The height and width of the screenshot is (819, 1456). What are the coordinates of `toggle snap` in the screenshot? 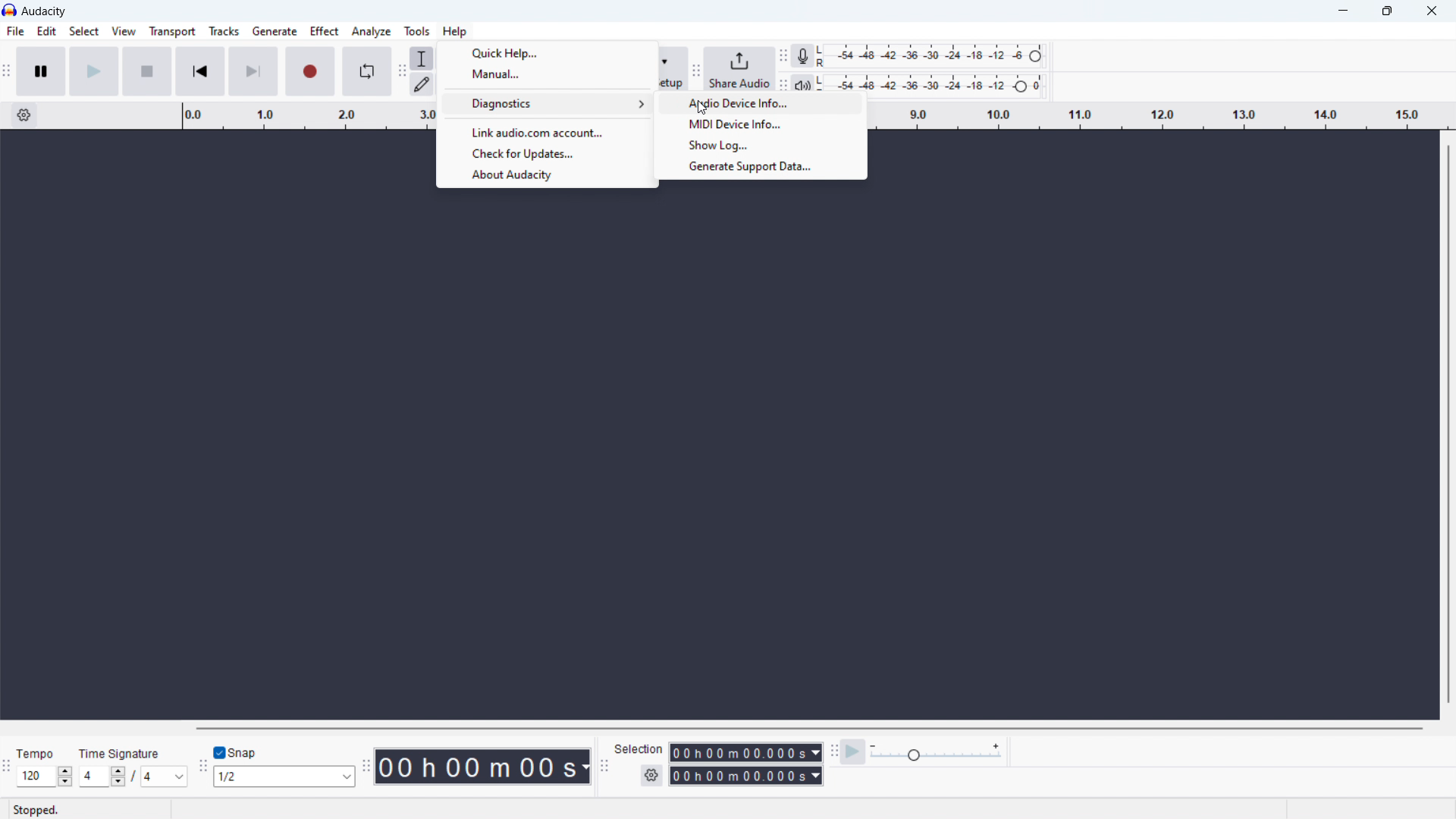 It's located at (235, 751).